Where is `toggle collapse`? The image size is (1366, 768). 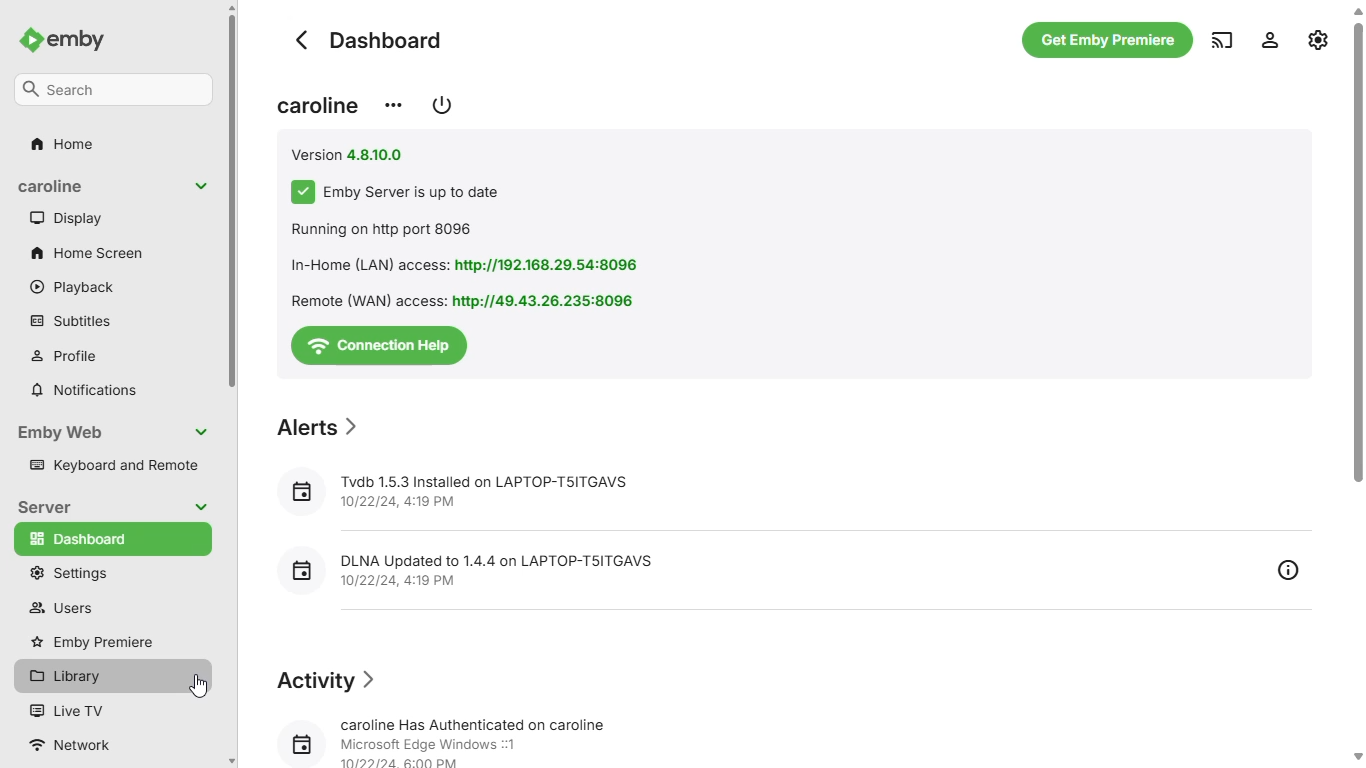
toggle collapse is located at coordinates (201, 186).